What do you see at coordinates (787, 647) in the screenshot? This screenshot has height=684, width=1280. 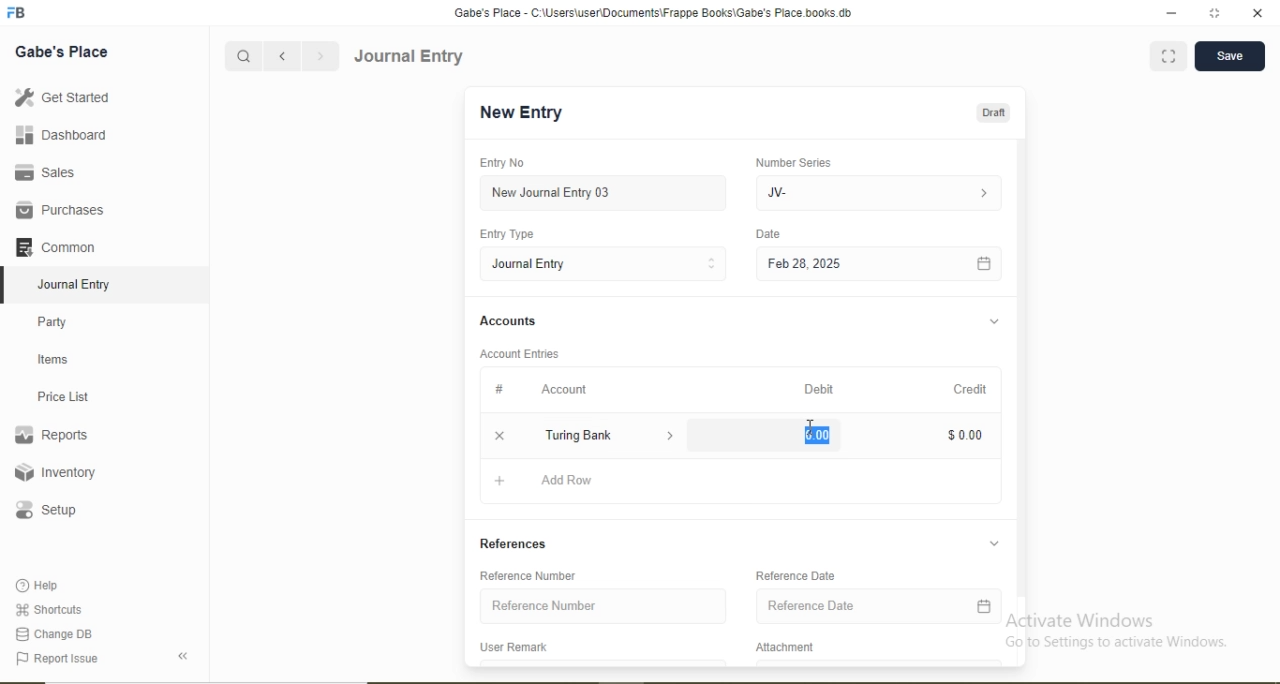 I see `Attachment` at bounding box center [787, 647].